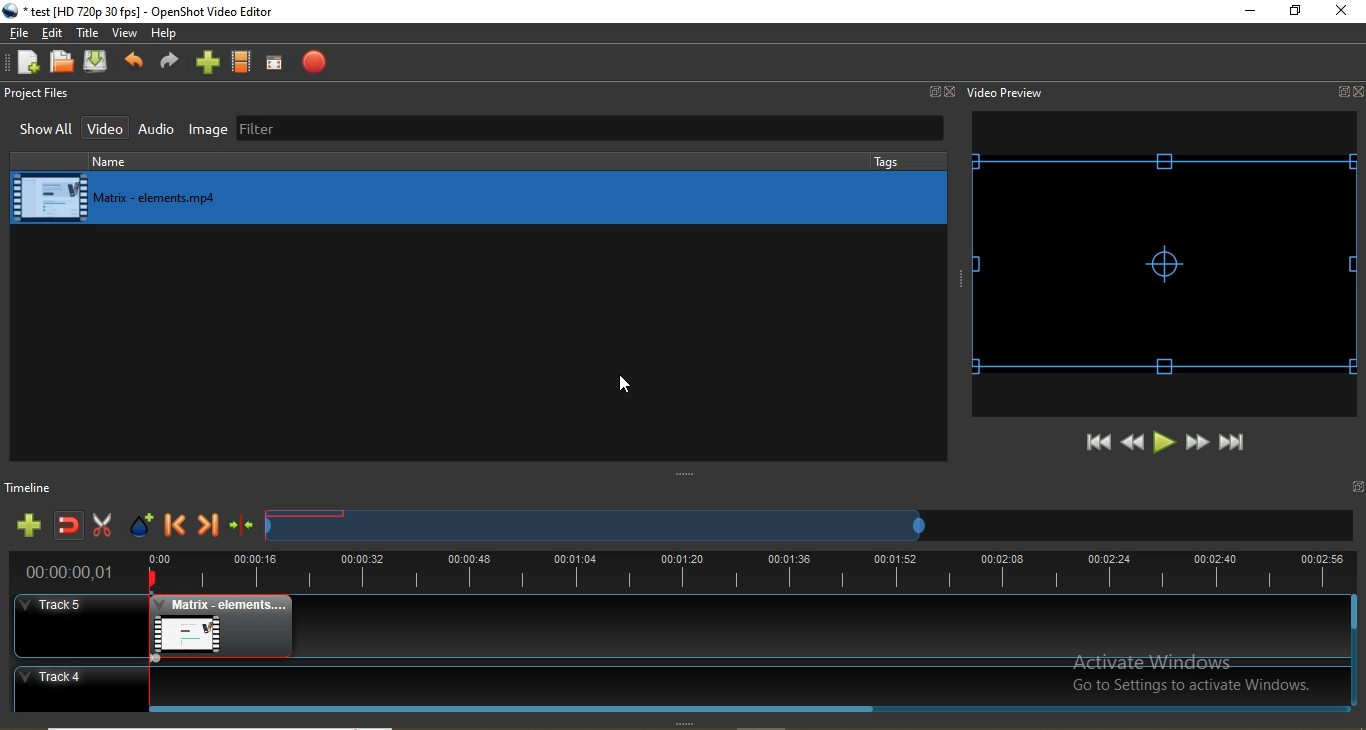  Describe the element at coordinates (596, 528) in the screenshot. I see `Timeline scrub` at that location.